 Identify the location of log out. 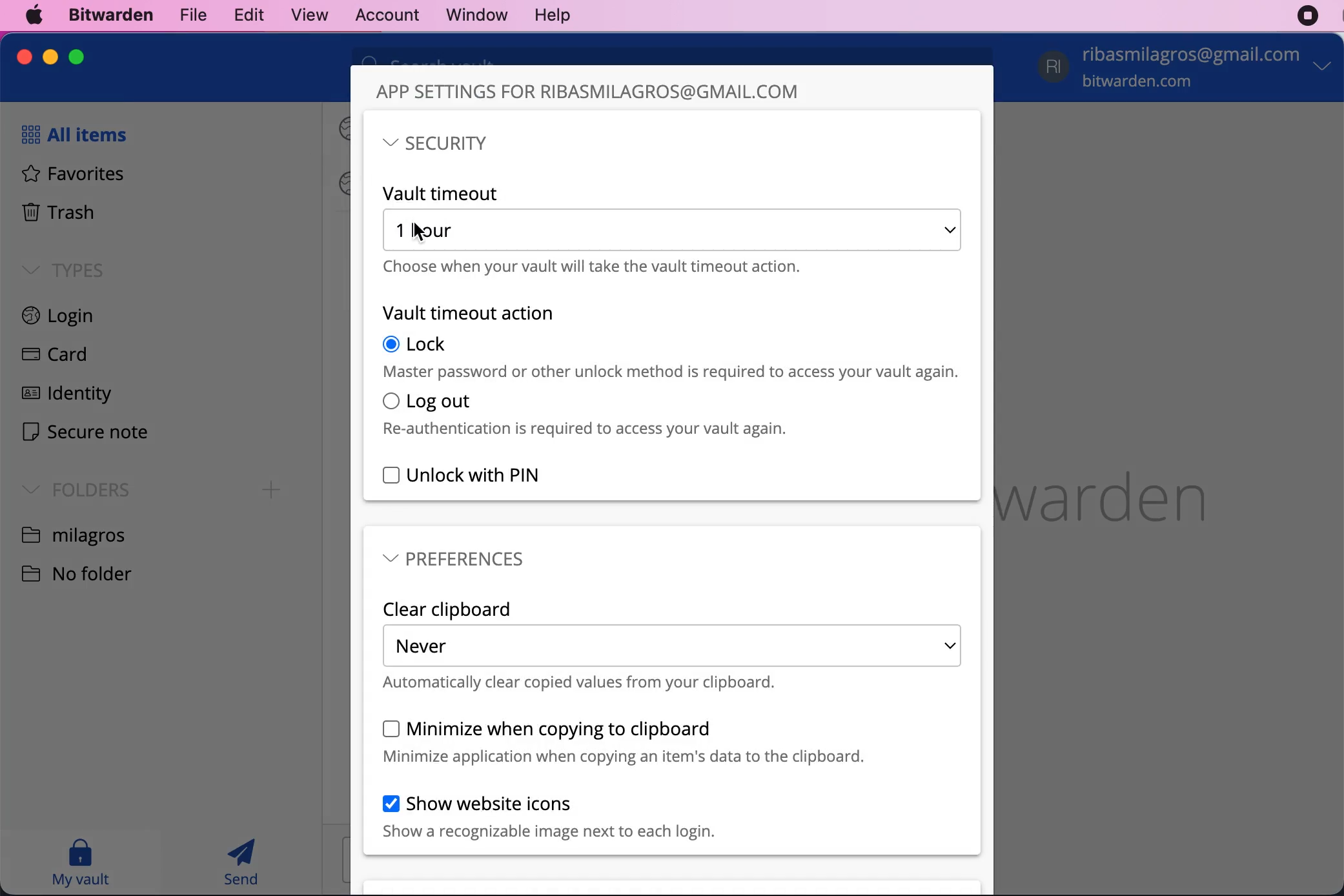
(585, 414).